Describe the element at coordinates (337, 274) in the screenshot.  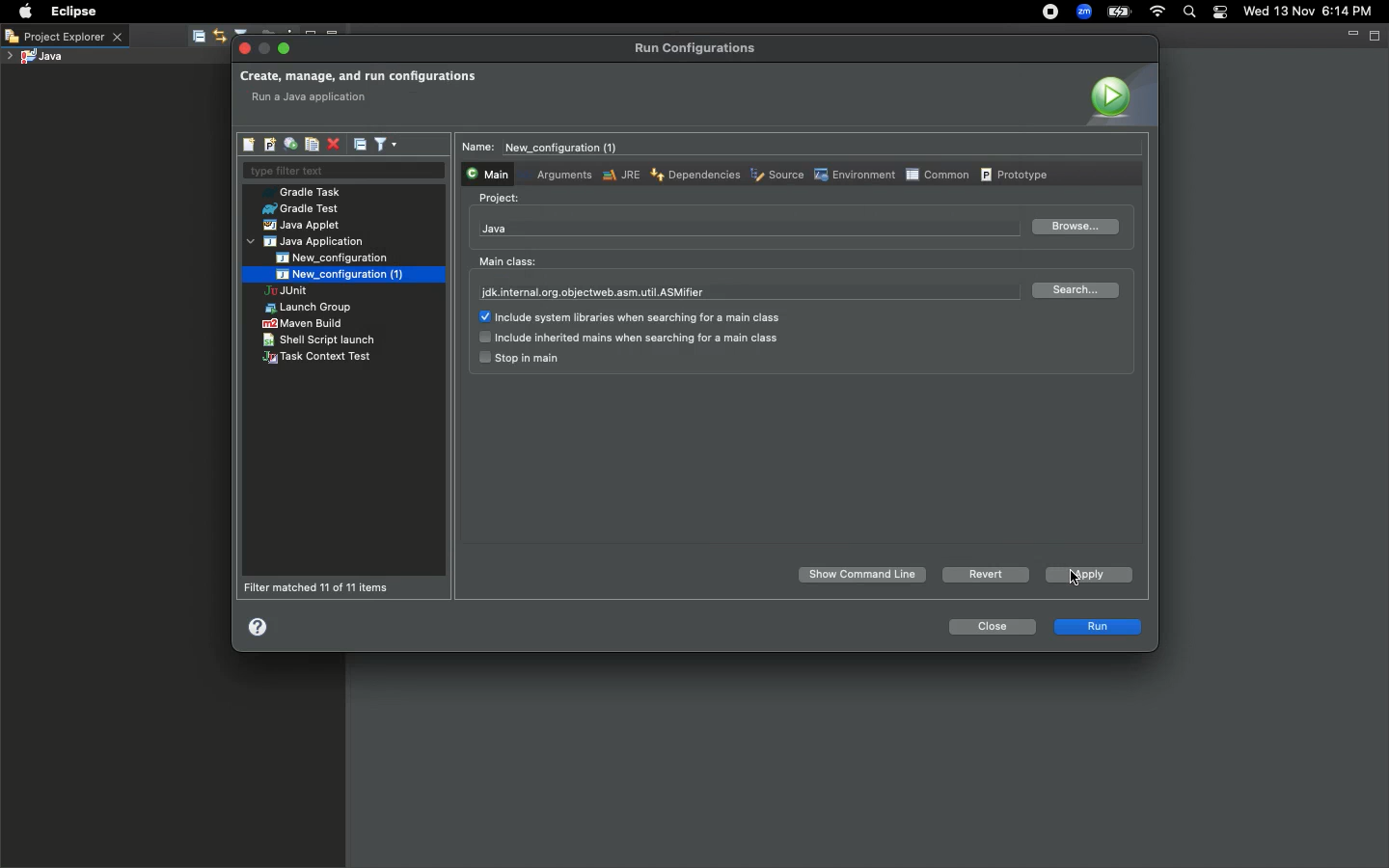
I see `New_configuration (1)` at that location.